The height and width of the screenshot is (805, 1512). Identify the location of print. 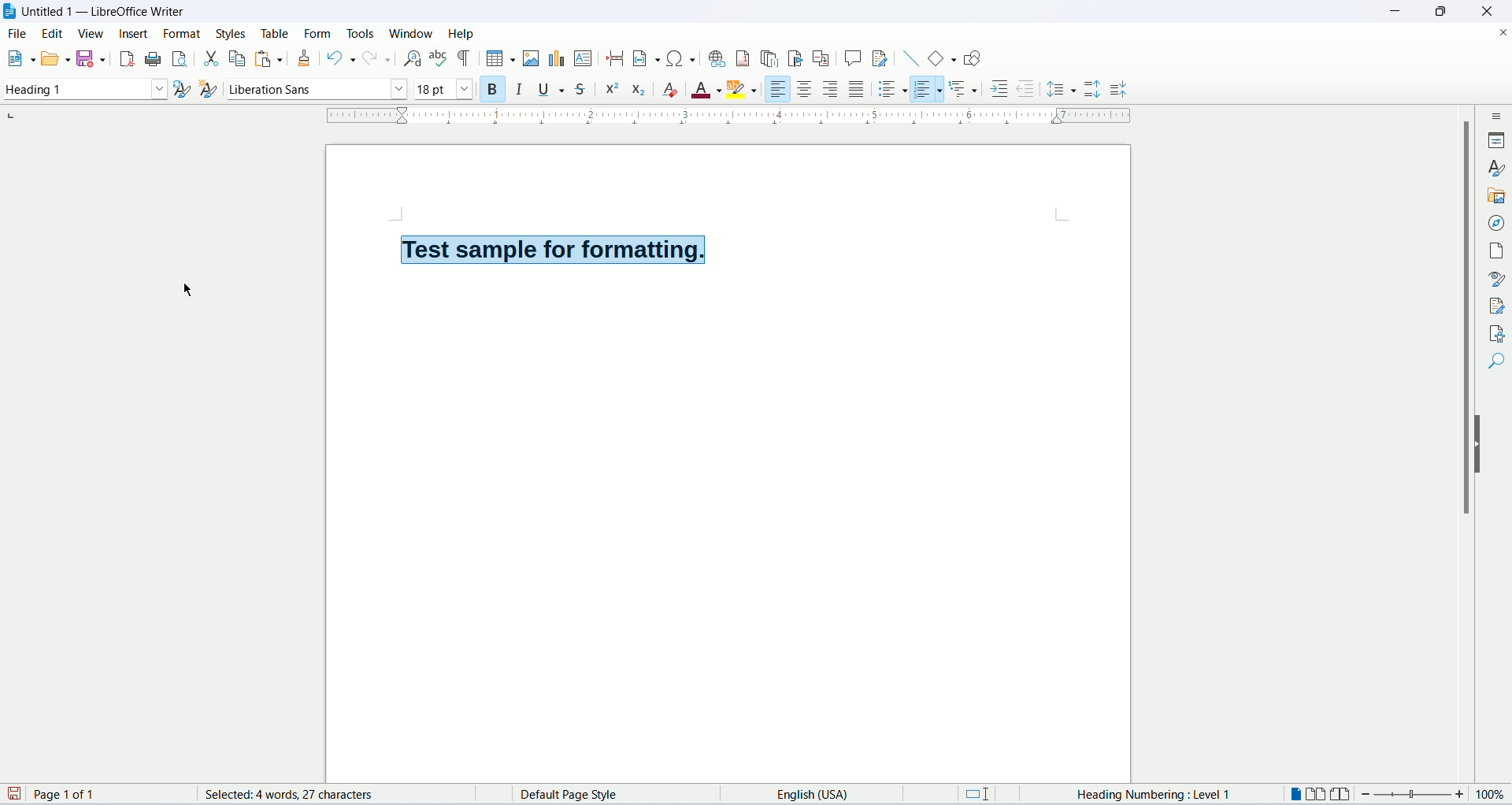
(153, 57).